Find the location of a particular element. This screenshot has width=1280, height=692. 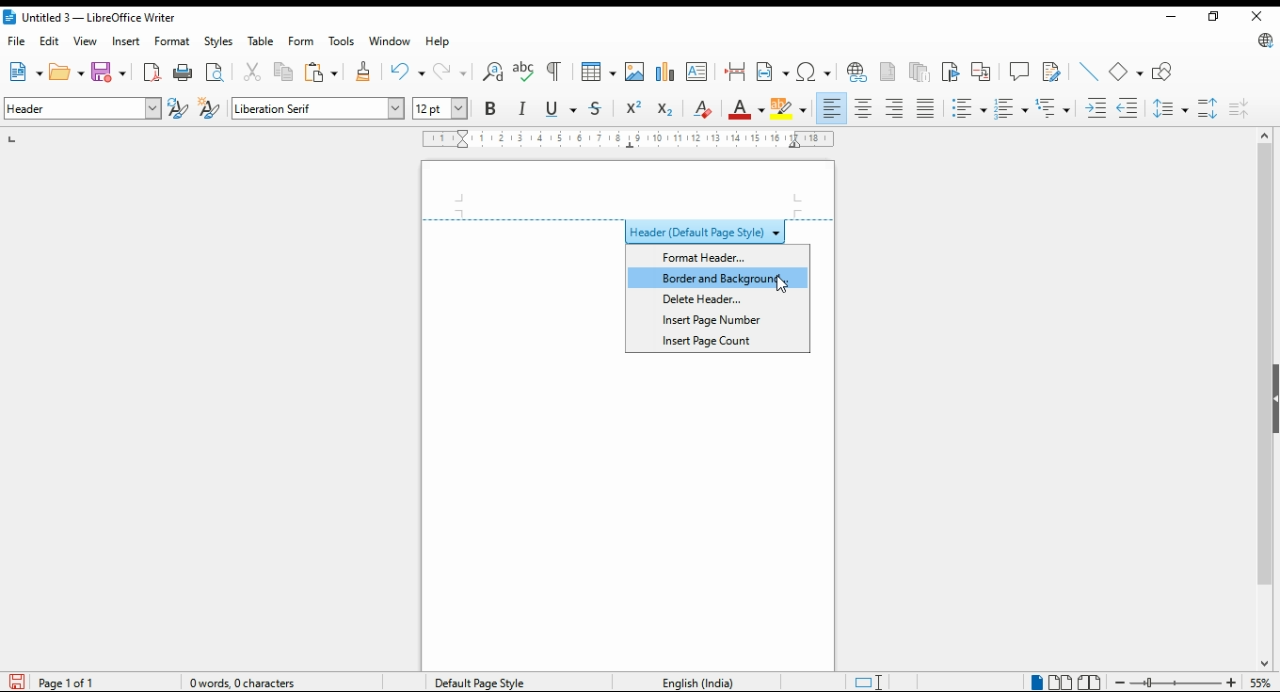

remove direct formatting is located at coordinates (702, 108).